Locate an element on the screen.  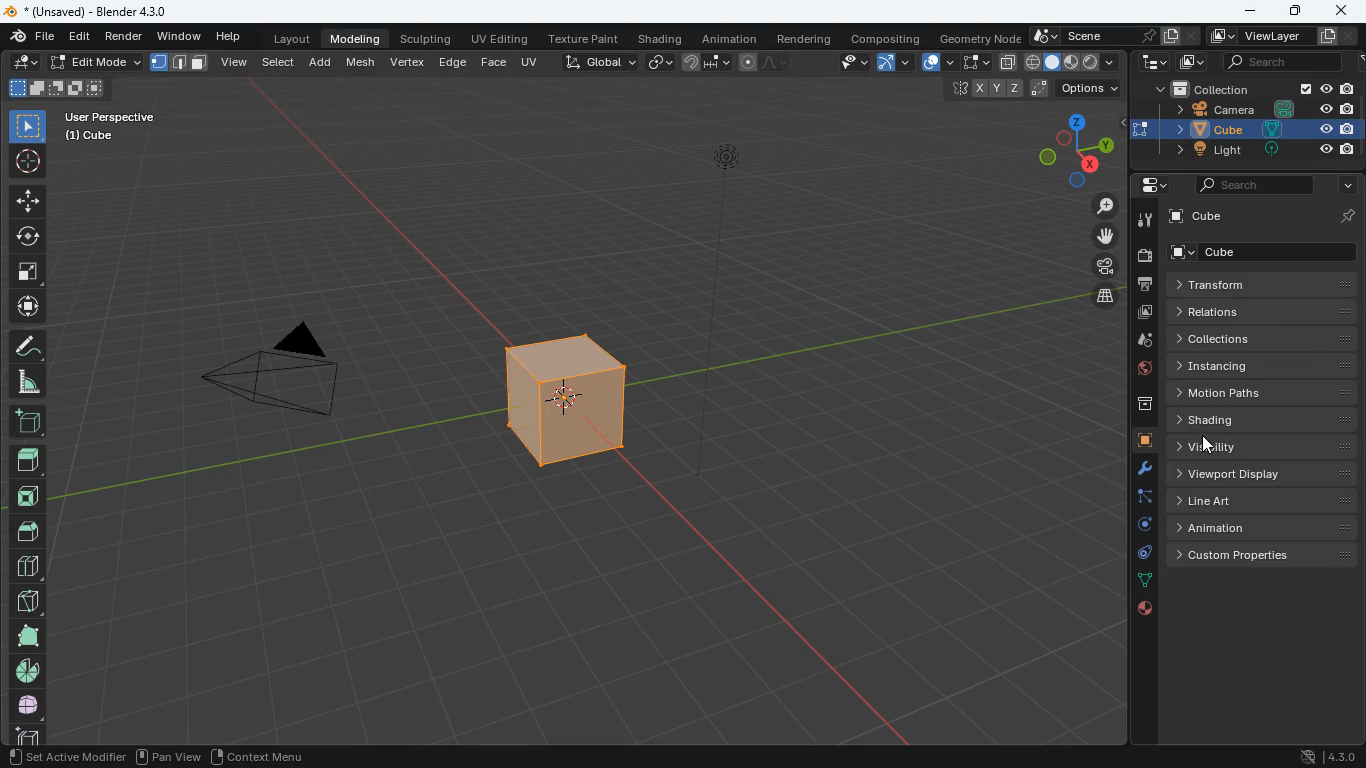
zoom is located at coordinates (1104, 205).